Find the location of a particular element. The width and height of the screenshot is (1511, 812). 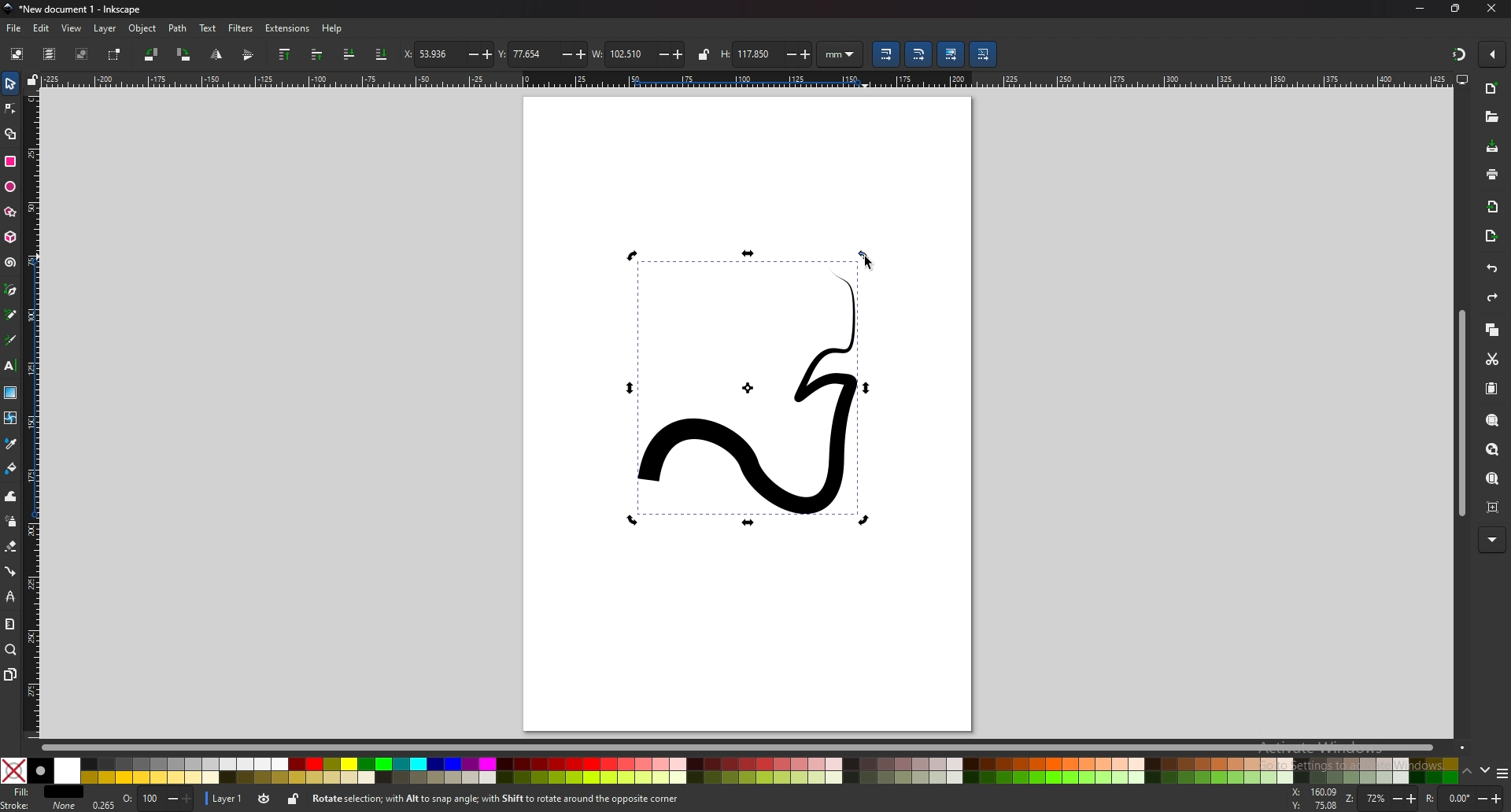

ZOOM is located at coordinates (1383, 798).